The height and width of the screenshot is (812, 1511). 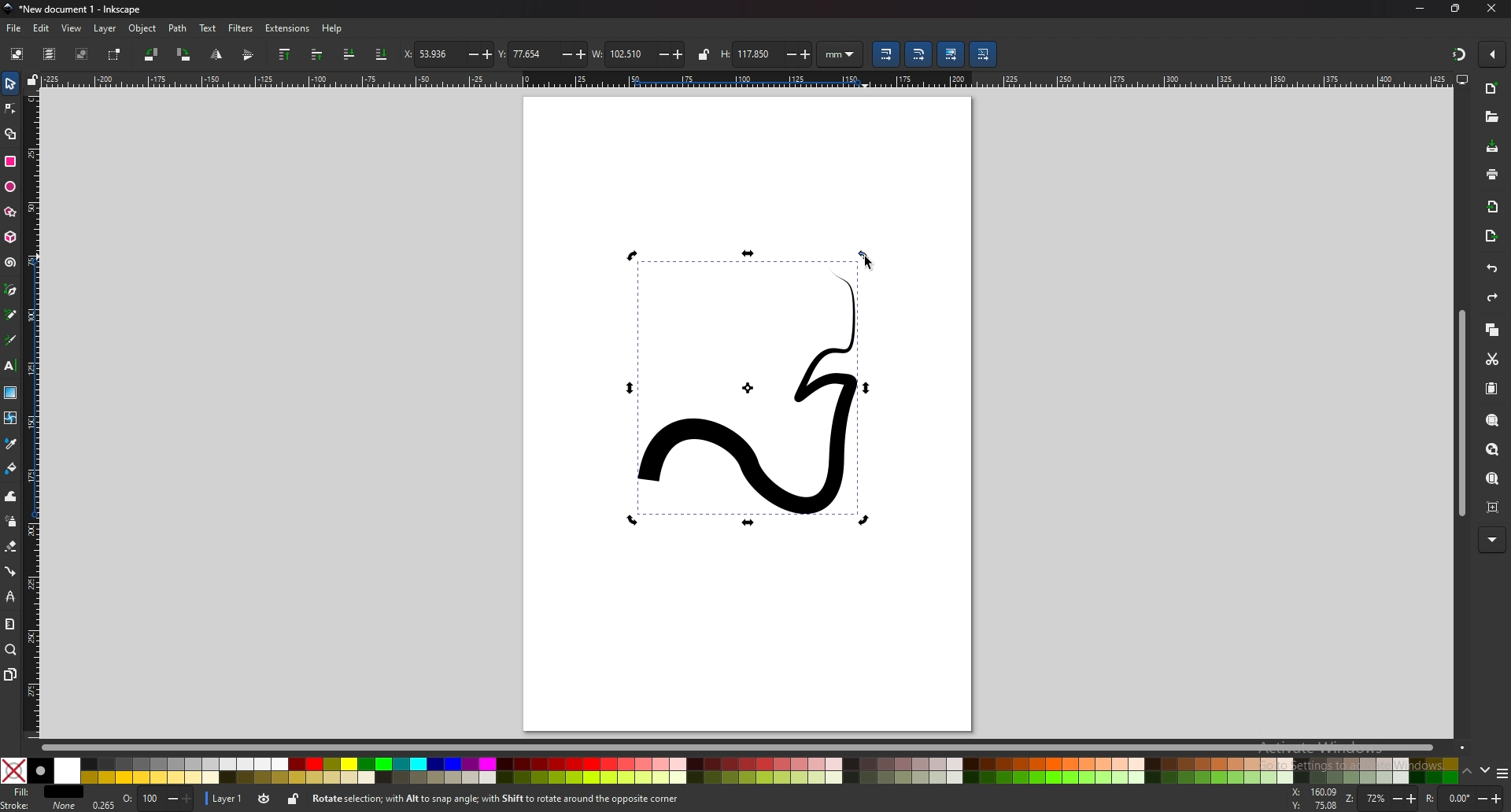 What do you see at coordinates (241, 28) in the screenshot?
I see `filters` at bounding box center [241, 28].